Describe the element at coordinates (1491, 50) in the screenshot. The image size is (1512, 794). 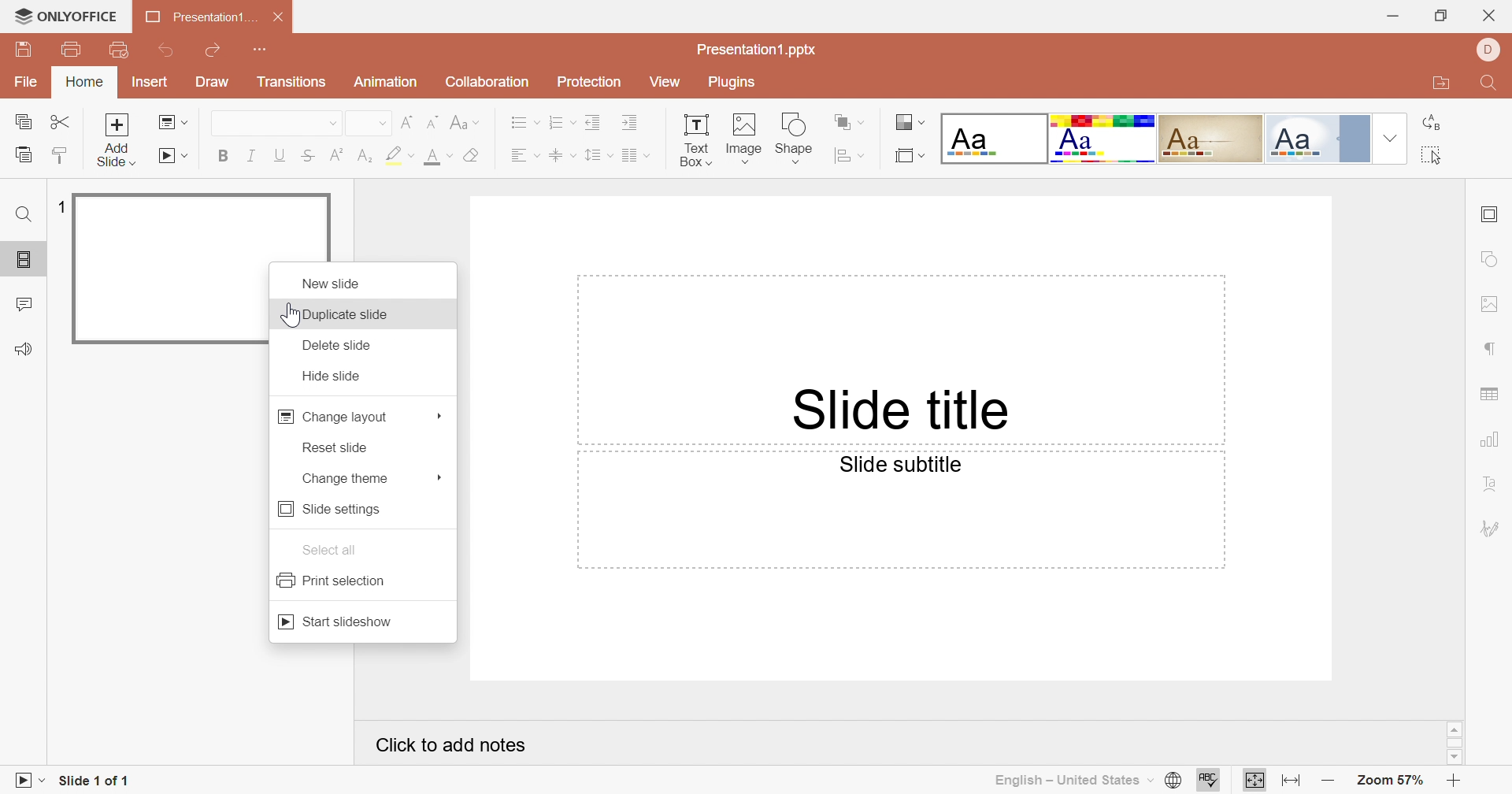
I see `DELL` at that location.